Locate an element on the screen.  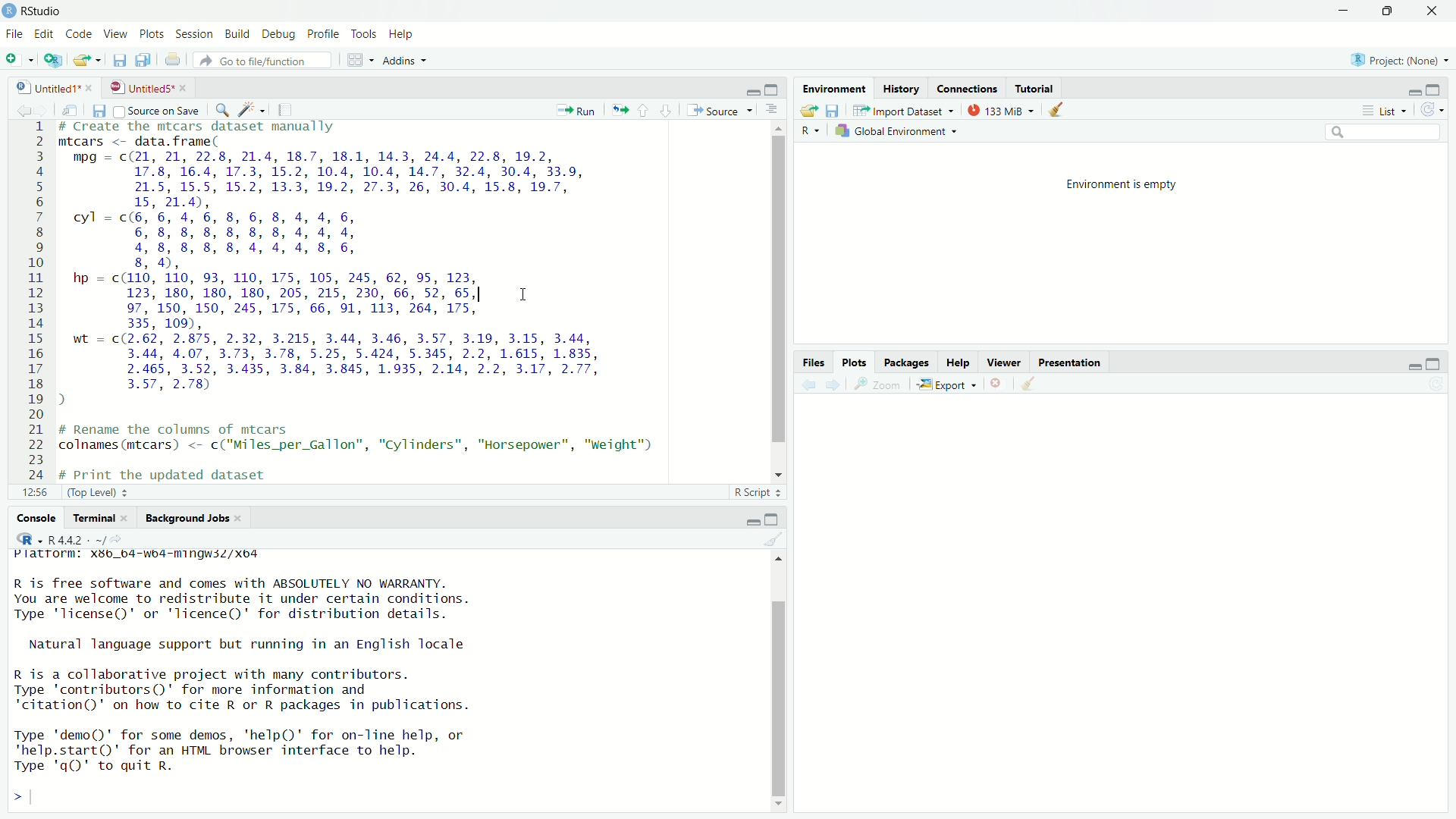
Files is located at coordinates (813, 361).